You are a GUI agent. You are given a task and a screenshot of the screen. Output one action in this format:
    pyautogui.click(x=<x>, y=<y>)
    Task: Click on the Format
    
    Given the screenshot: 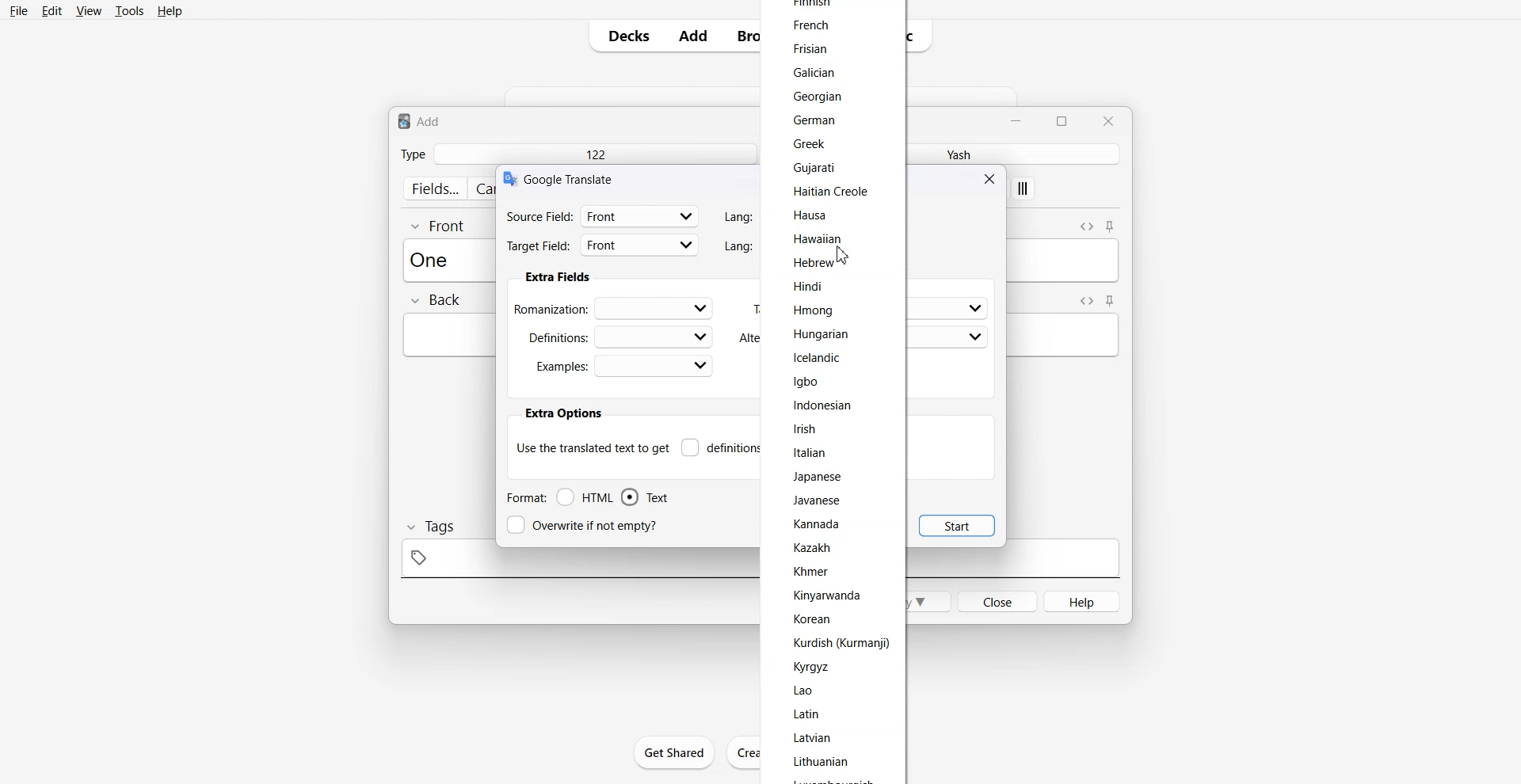 What is the action you would take?
    pyautogui.click(x=525, y=497)
    